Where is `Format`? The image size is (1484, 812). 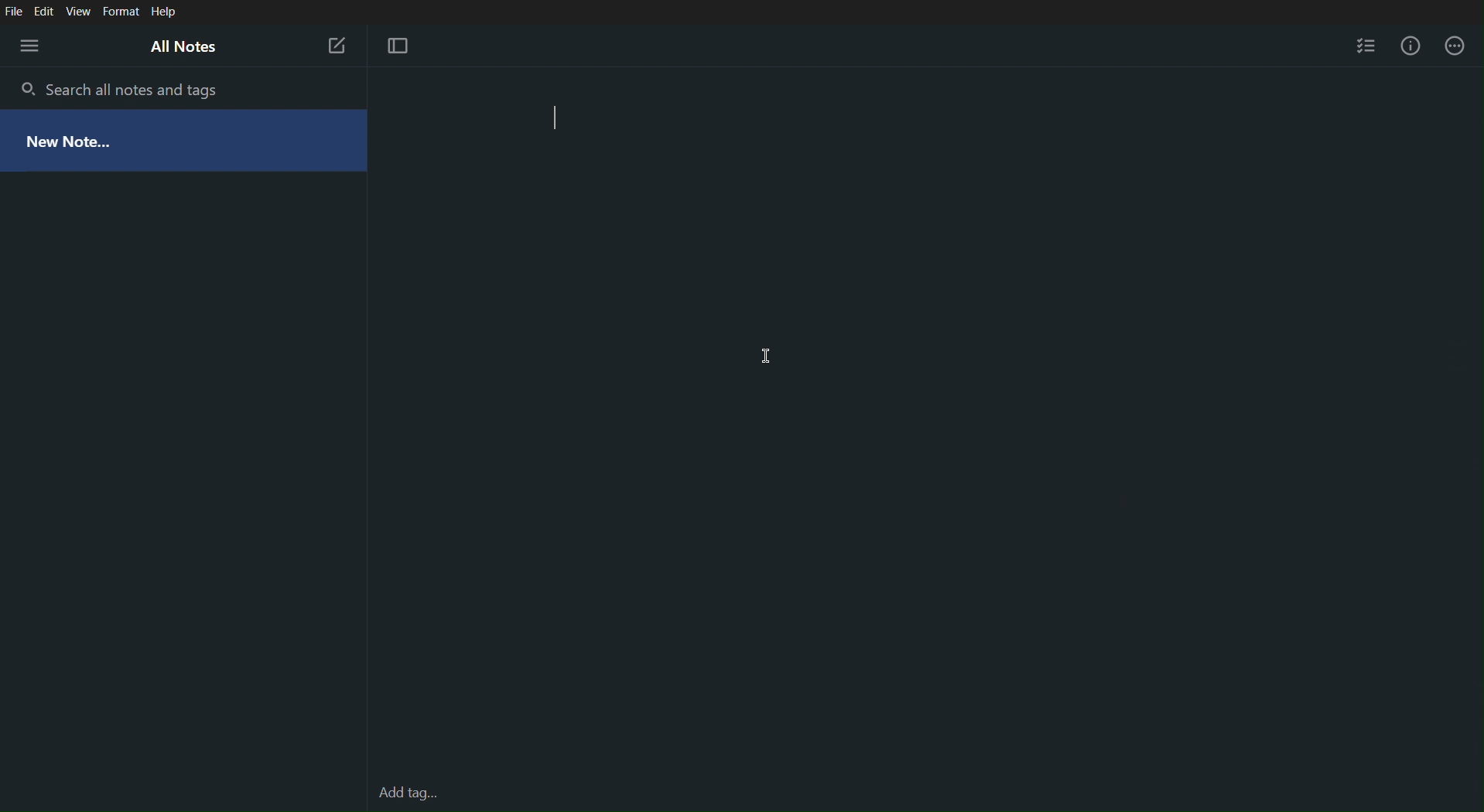
Format is located at coordinates (119, 12).